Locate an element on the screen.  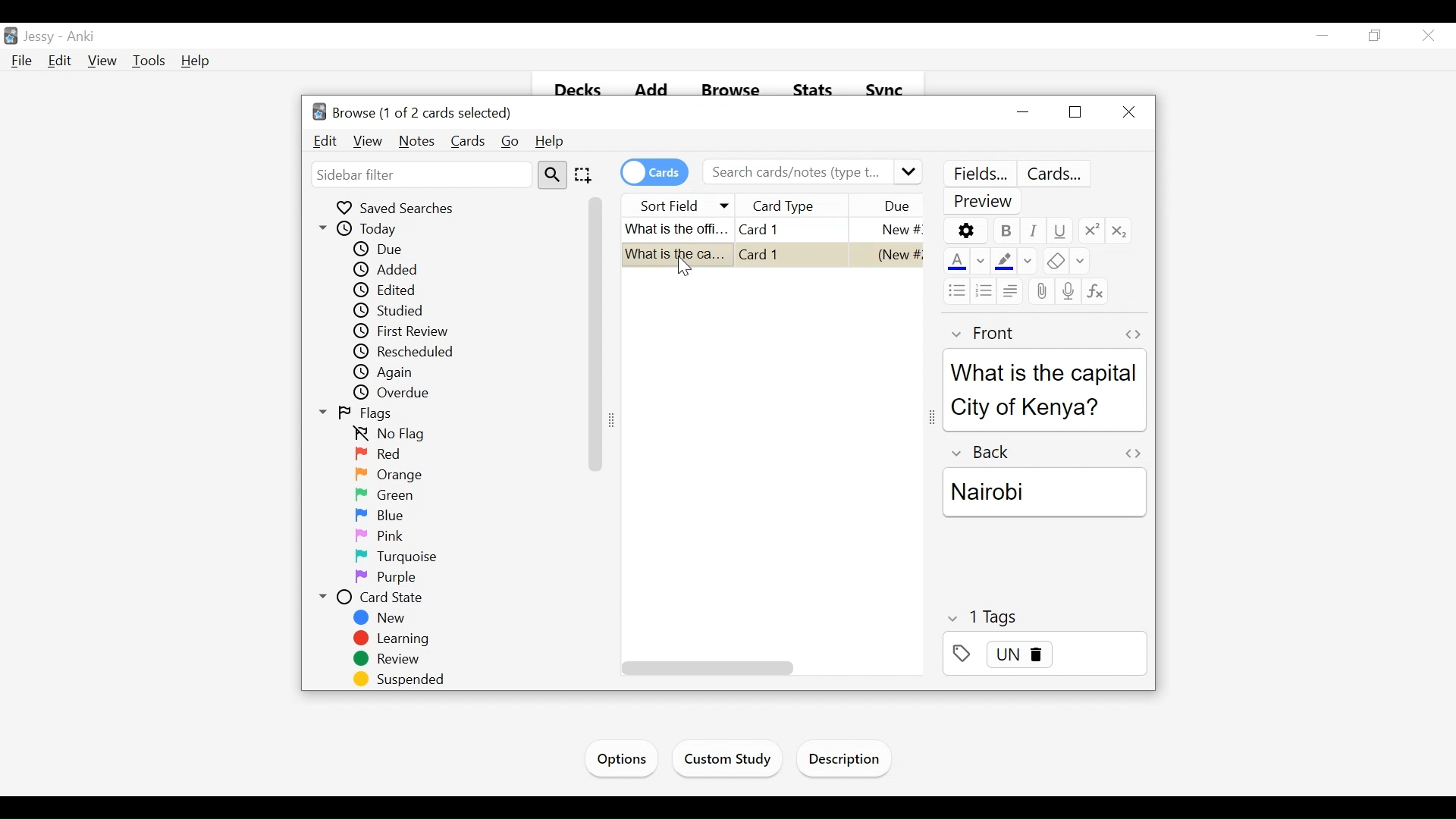
Alignment is located at coordinates (1009, 290).